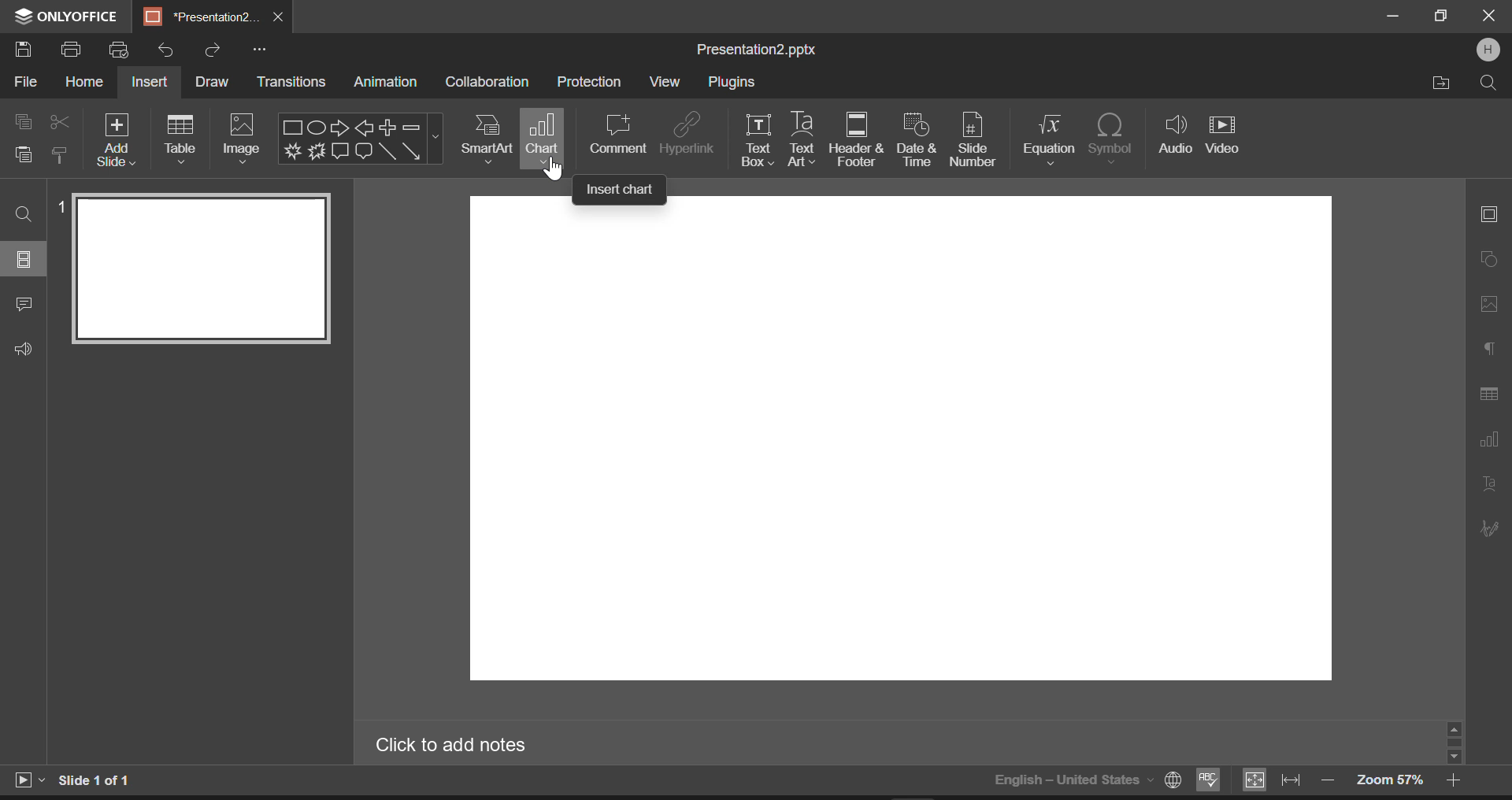 The height and width of the screenshot is (800, 1512). What do you see at coordinates (98, 780) in the screenshot?
I see `Slide 1 of 1` at bounding box center [98, 780].